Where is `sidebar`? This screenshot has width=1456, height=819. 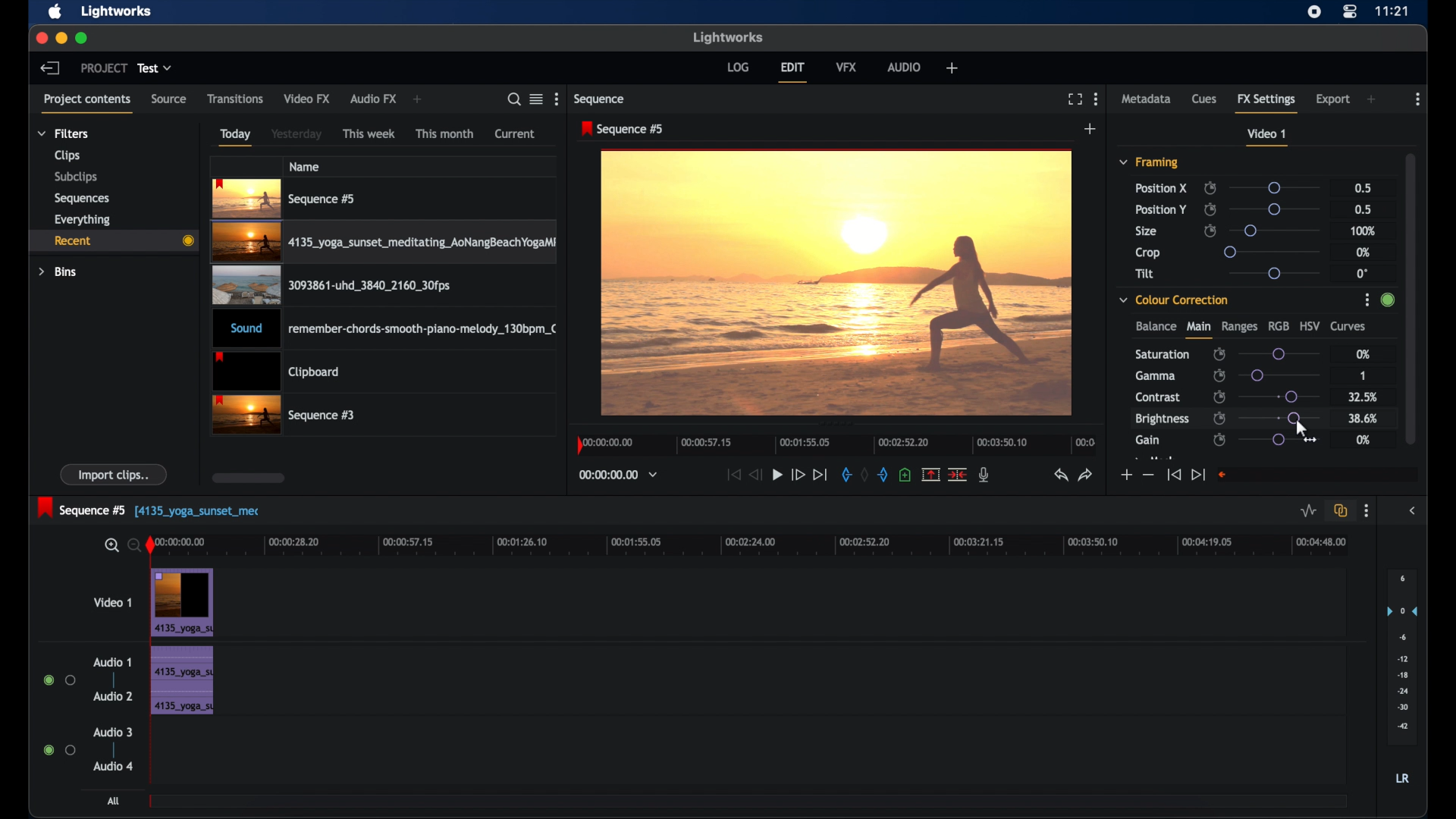
sidebar is located at coordinates (1415, 511).